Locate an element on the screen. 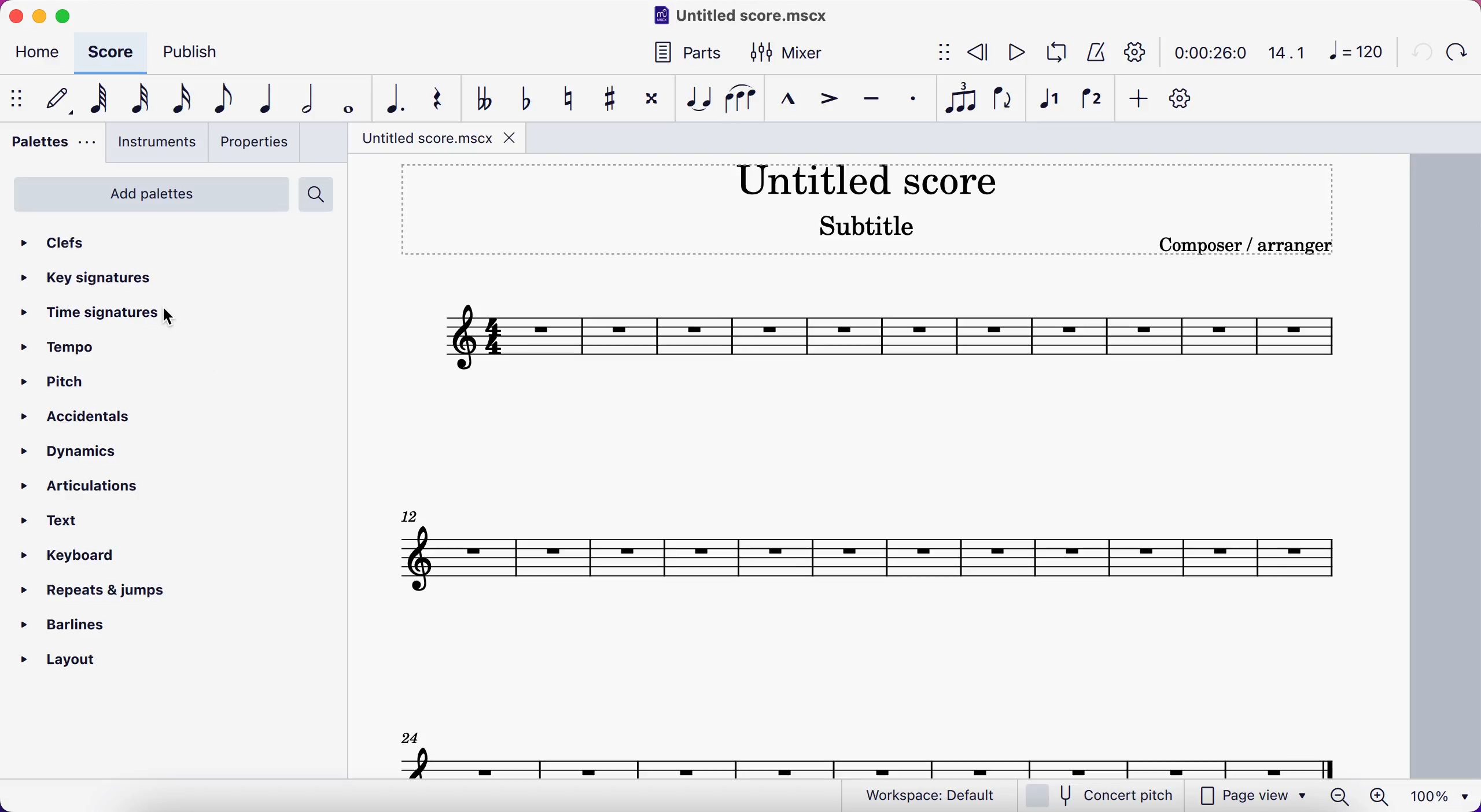  title is located at coordinates (867, 179).